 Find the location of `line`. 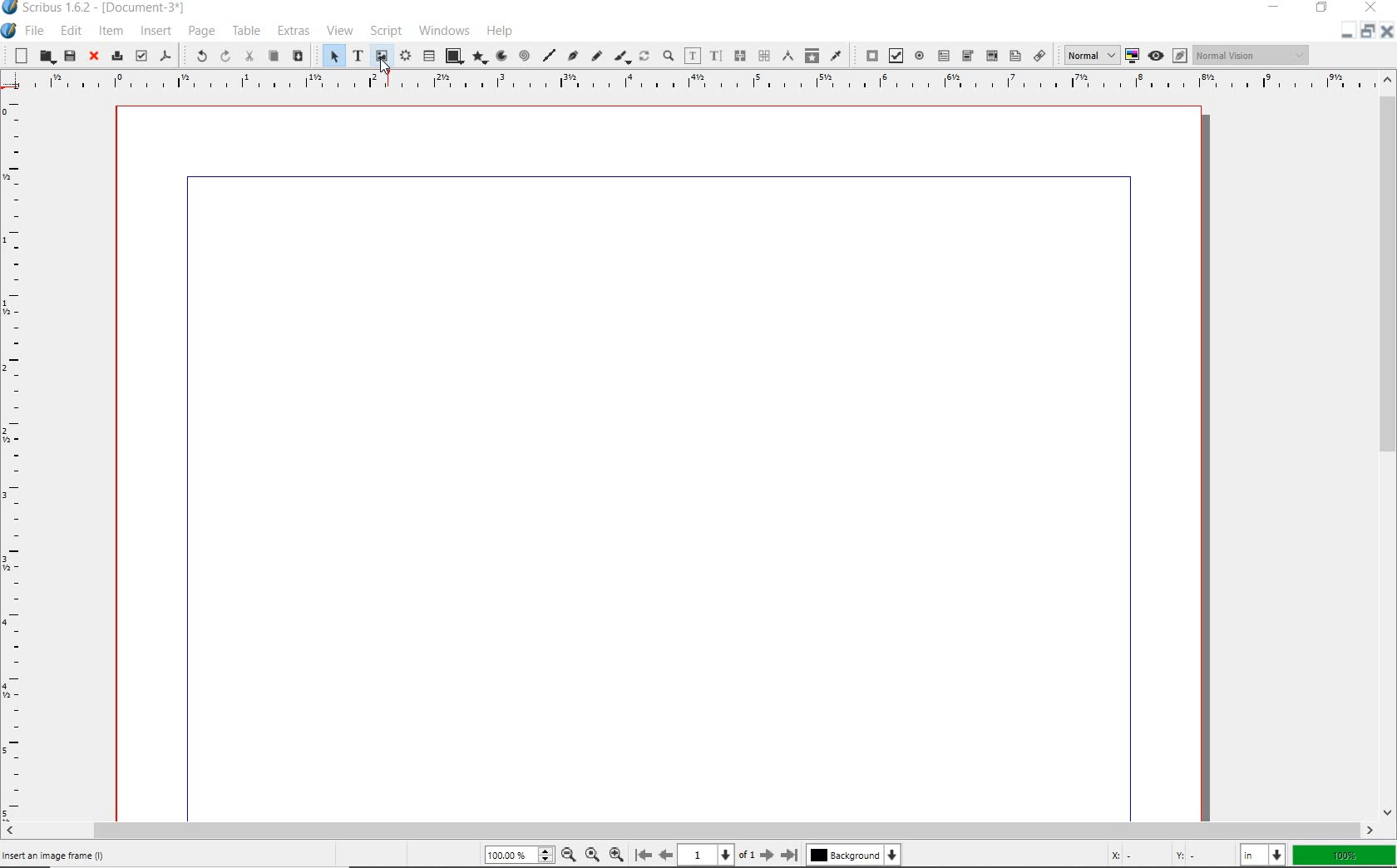

line is located at coordinates (549, 55).